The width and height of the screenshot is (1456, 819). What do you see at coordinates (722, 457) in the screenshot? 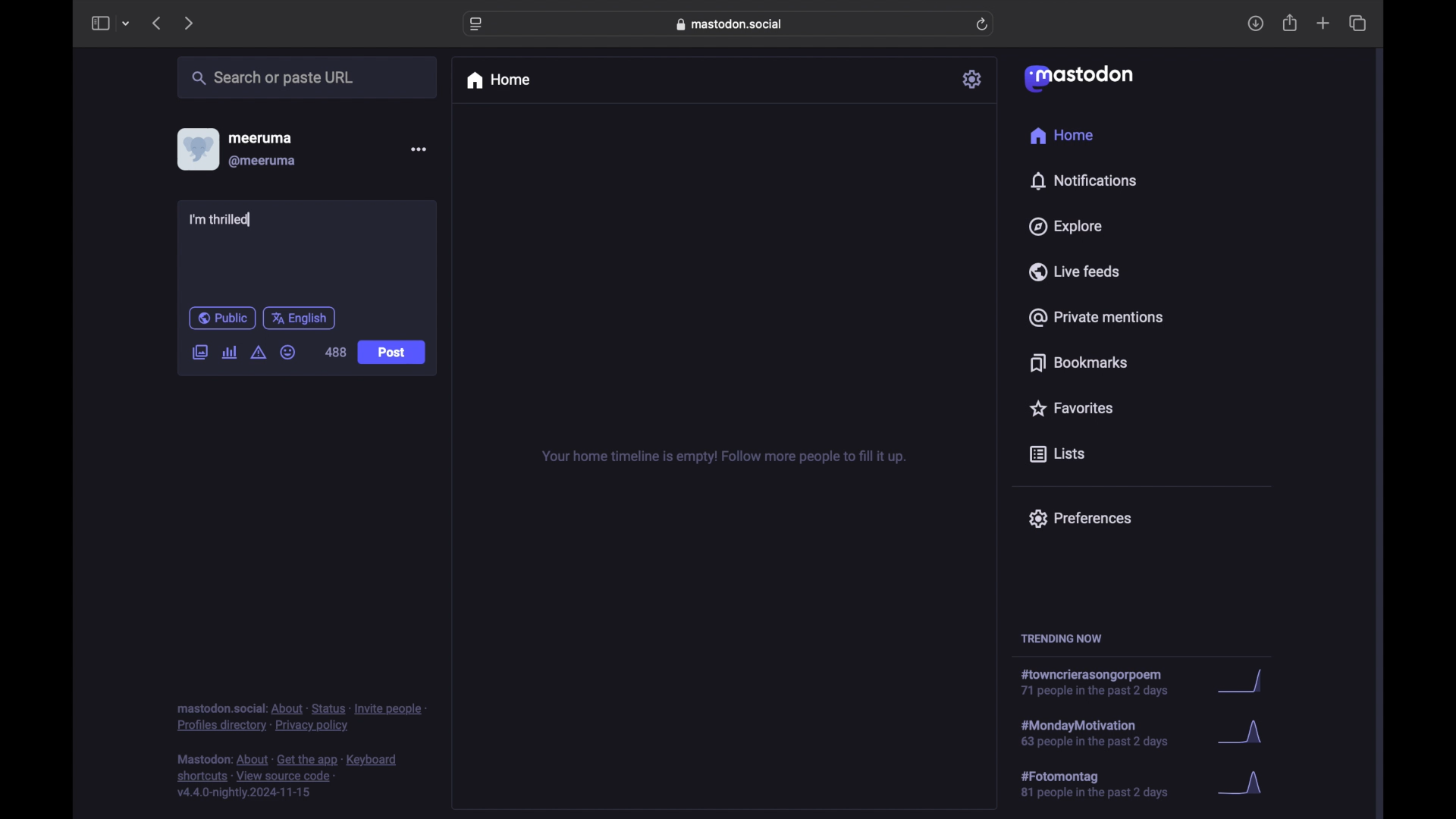
I see `your home timeline is  empty! follow for more tips` at bounding box center [722, 457].